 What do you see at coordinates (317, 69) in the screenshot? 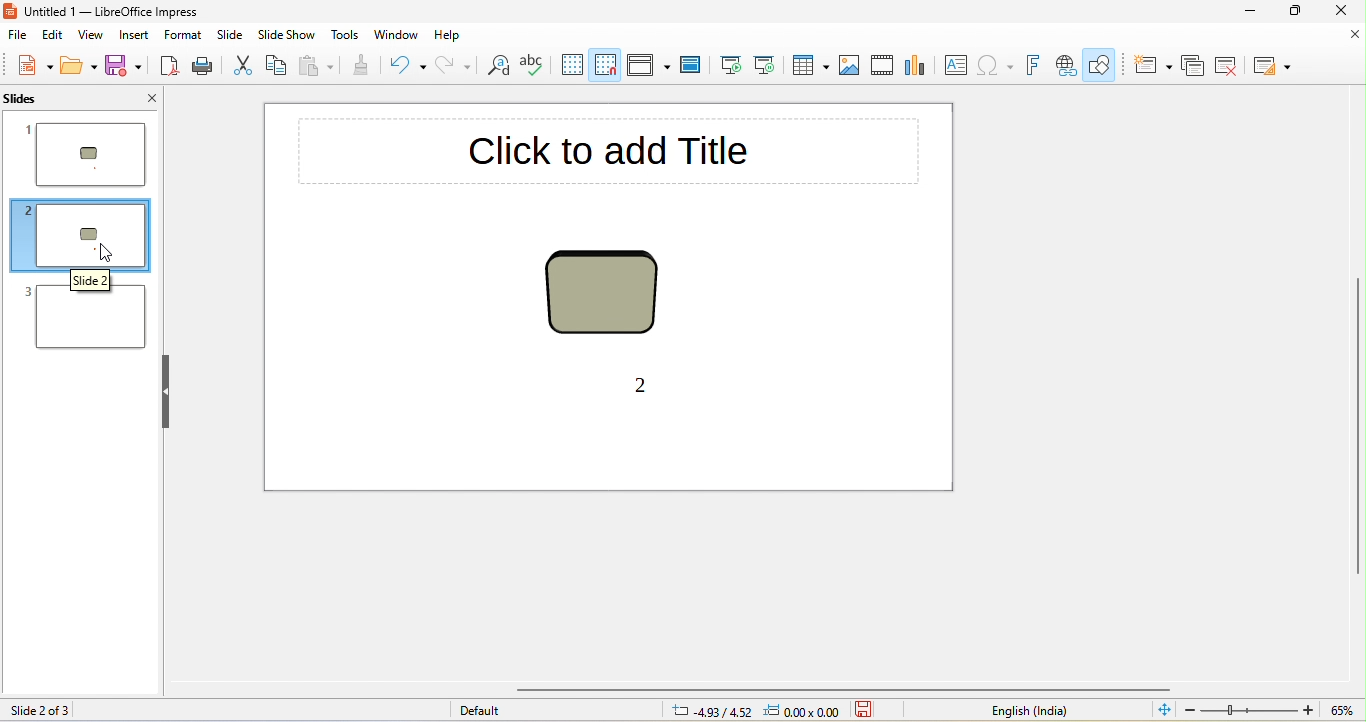
I see `paste` at bounding box center [317, 69].